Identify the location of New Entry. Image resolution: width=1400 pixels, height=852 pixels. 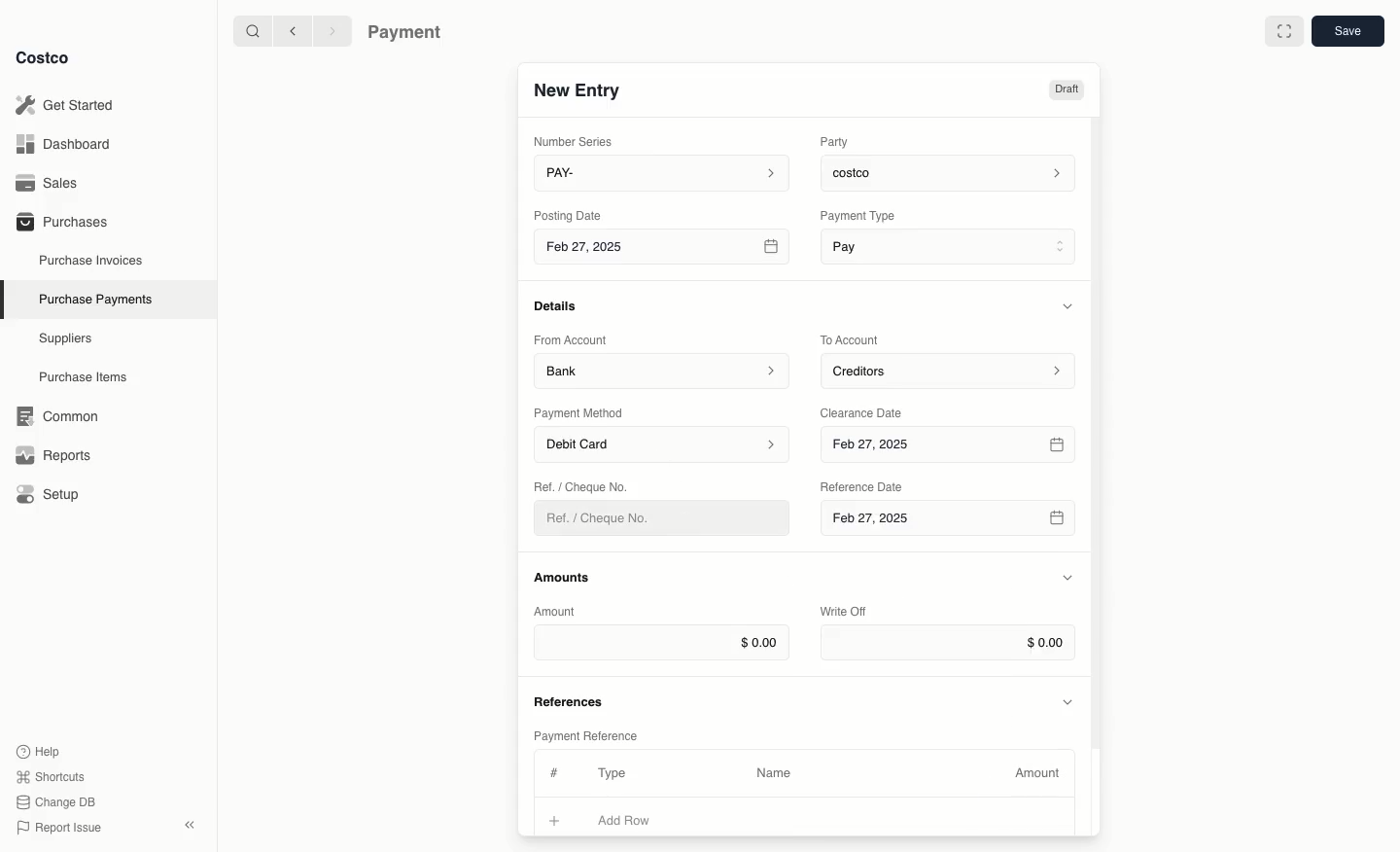
(578, 89).